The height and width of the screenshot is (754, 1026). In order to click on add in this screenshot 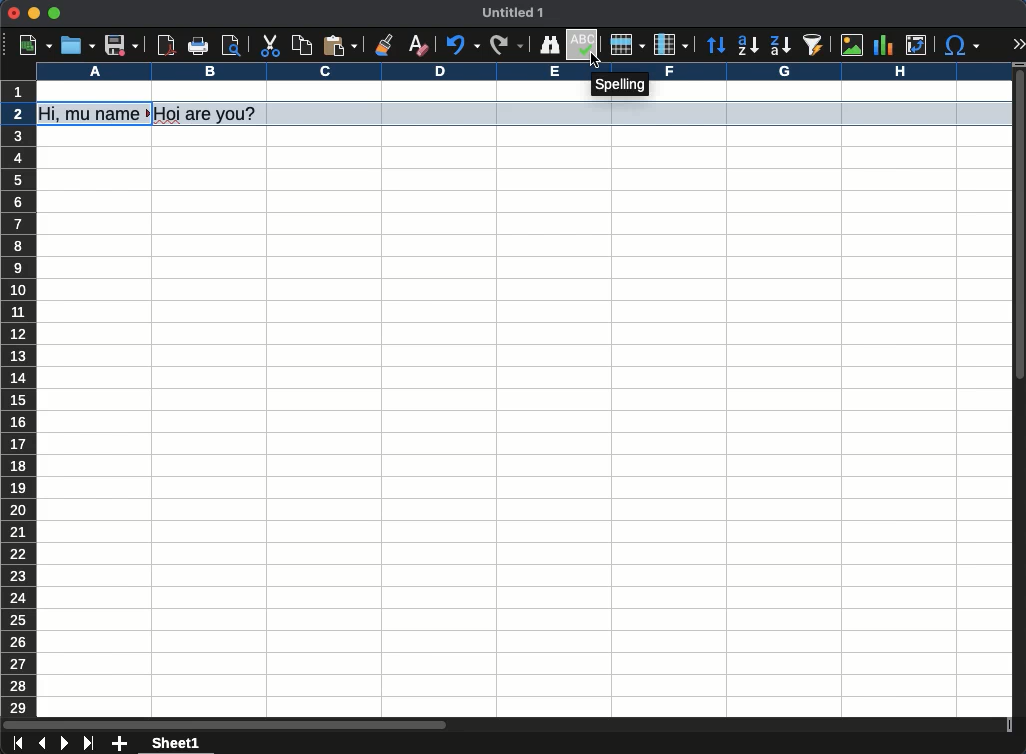, I will do `click(121, 743)`.